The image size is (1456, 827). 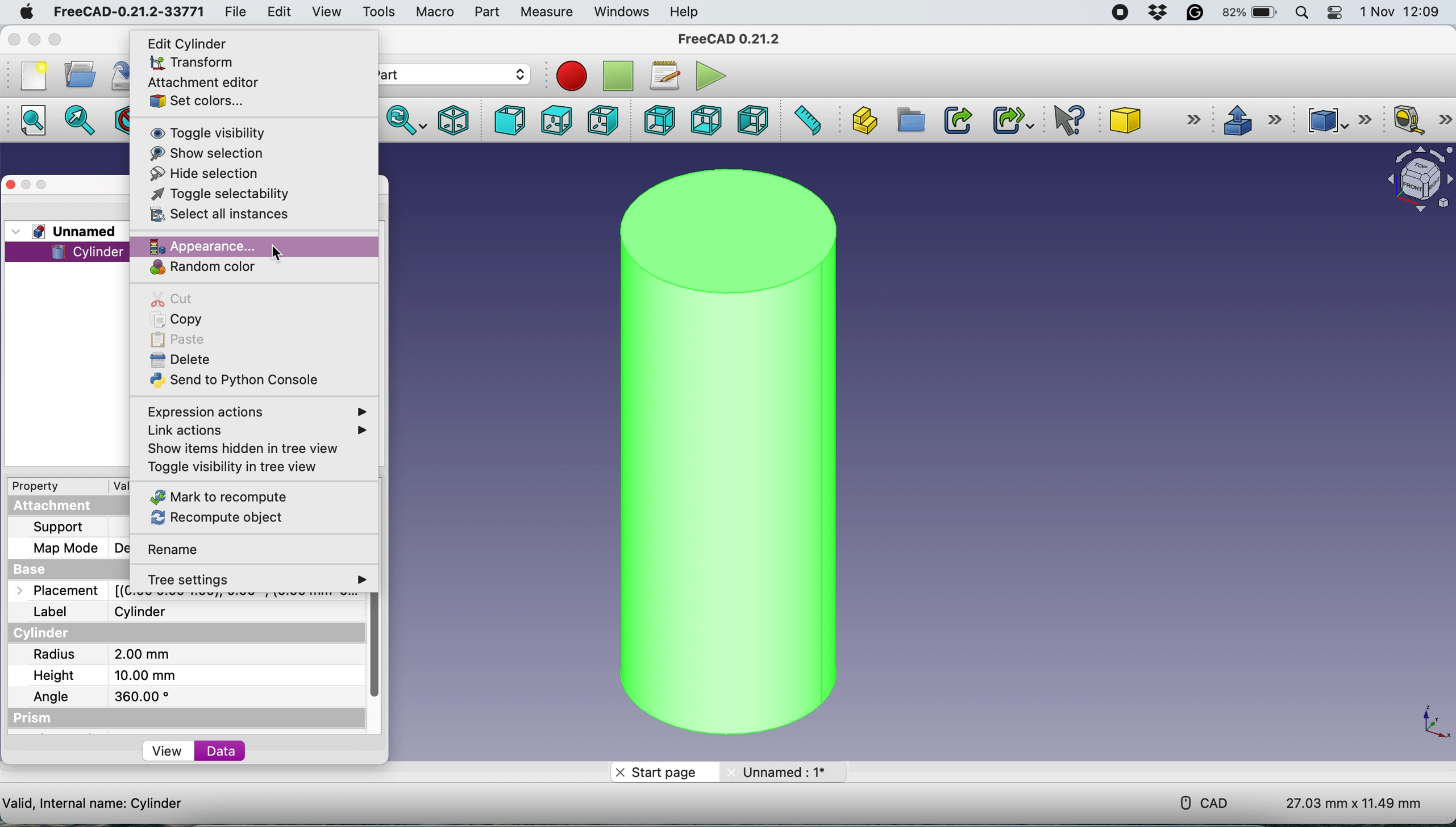 I want to click on unname, so click(x=780, y=773).